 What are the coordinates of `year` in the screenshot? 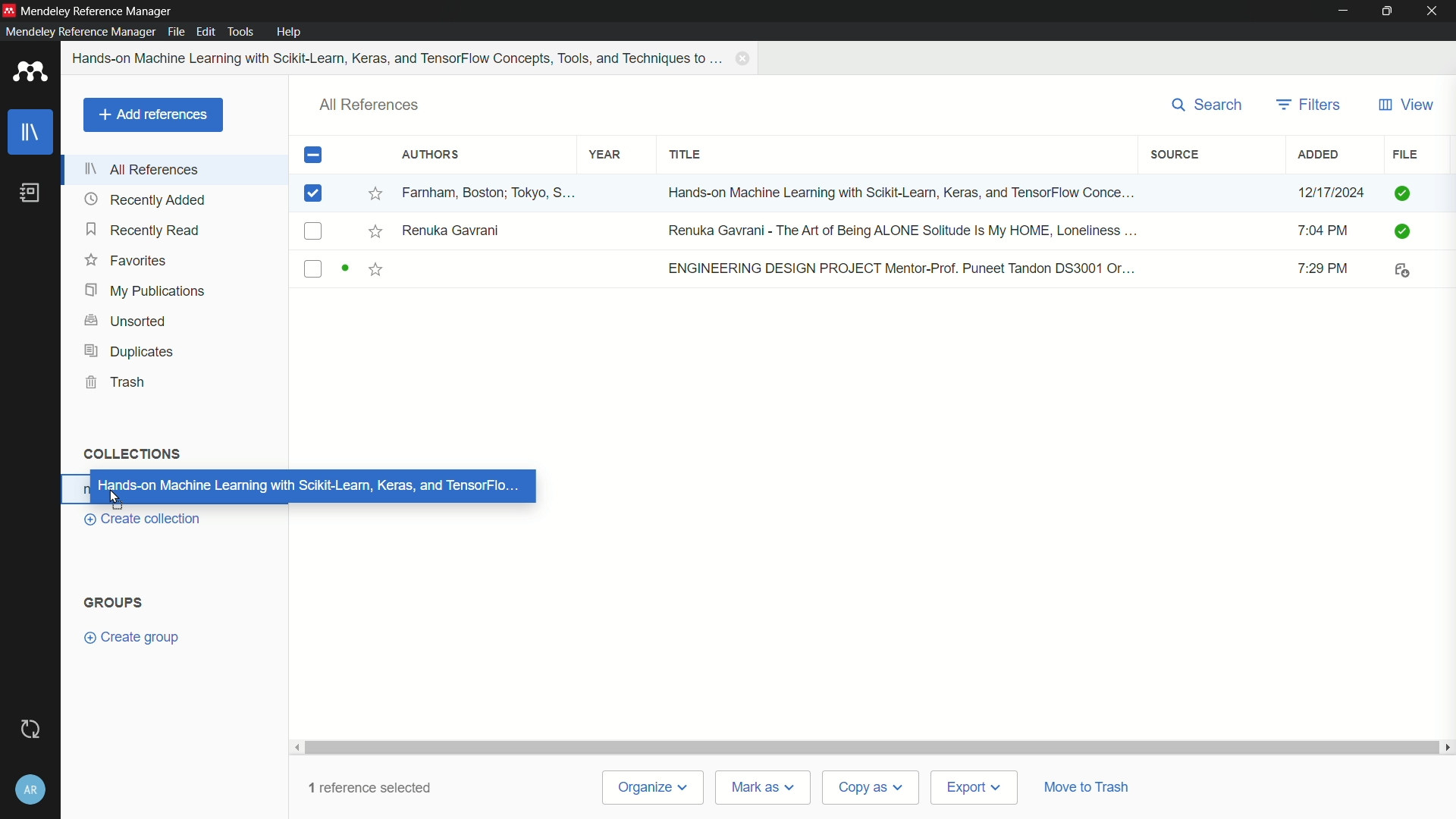 It's located at (606, 155).